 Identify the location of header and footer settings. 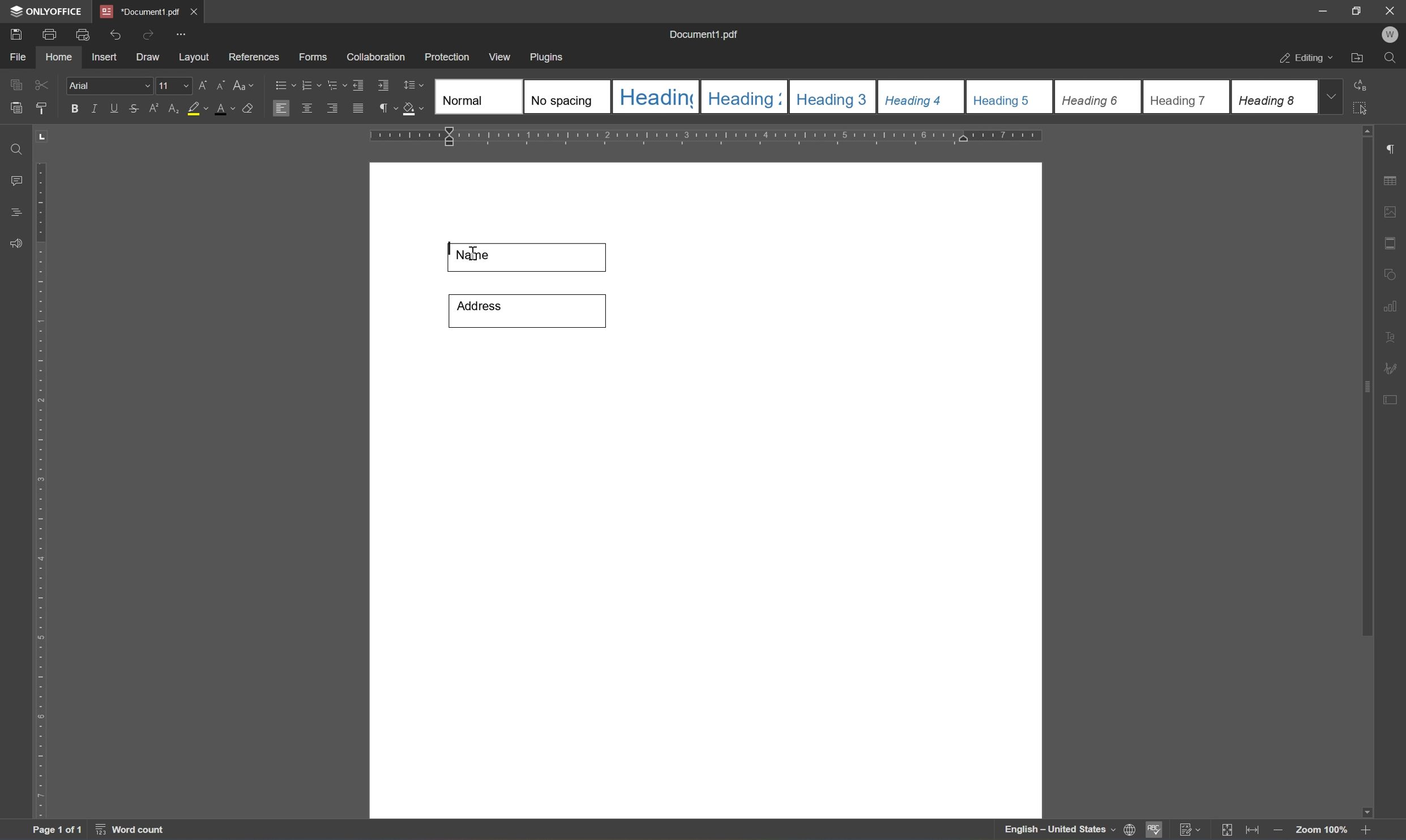
(1390, 242).